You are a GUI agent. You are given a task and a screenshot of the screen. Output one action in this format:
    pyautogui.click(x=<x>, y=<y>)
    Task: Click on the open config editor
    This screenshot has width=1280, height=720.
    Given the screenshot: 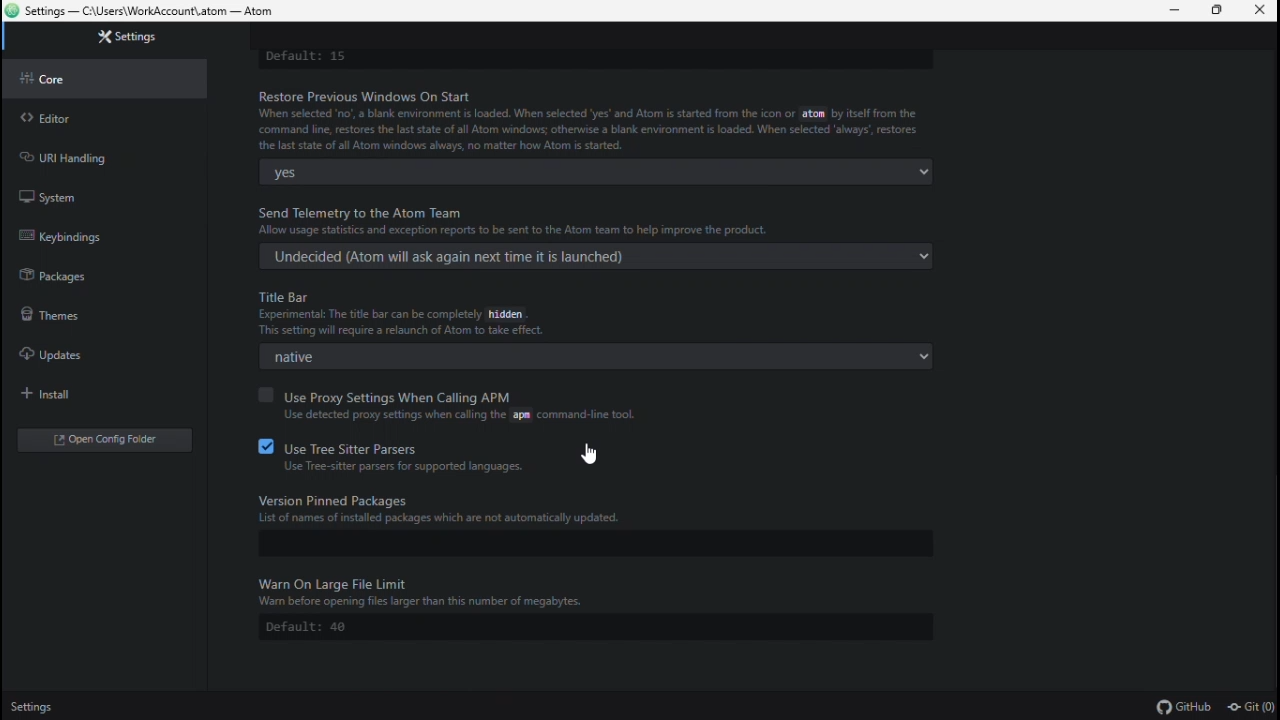 What is the action you would take?
    pyautogui.click(x=103, y=439)
    